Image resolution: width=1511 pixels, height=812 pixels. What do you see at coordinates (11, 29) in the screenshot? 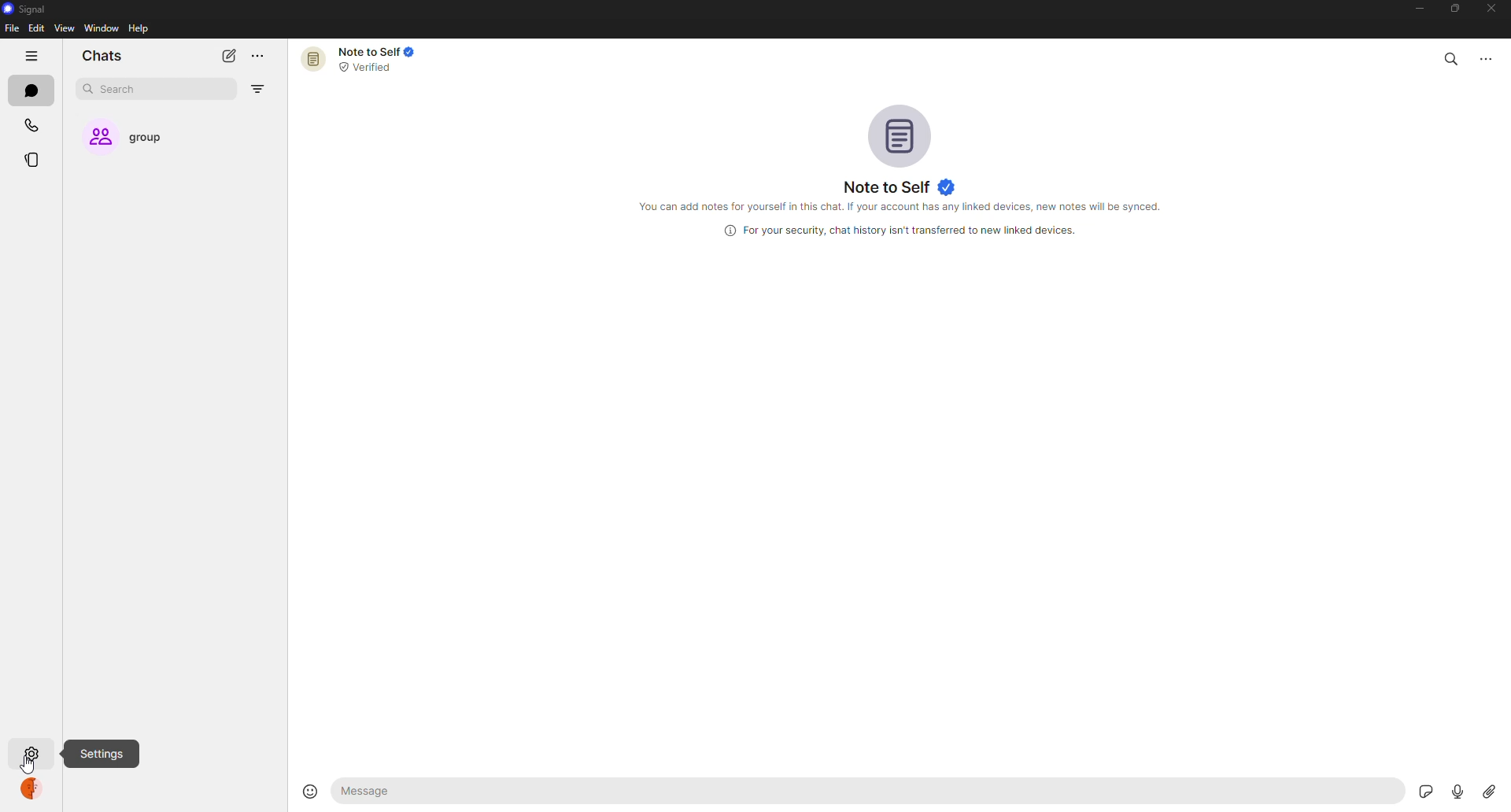
I see `file` at bounding box center [11, 29].